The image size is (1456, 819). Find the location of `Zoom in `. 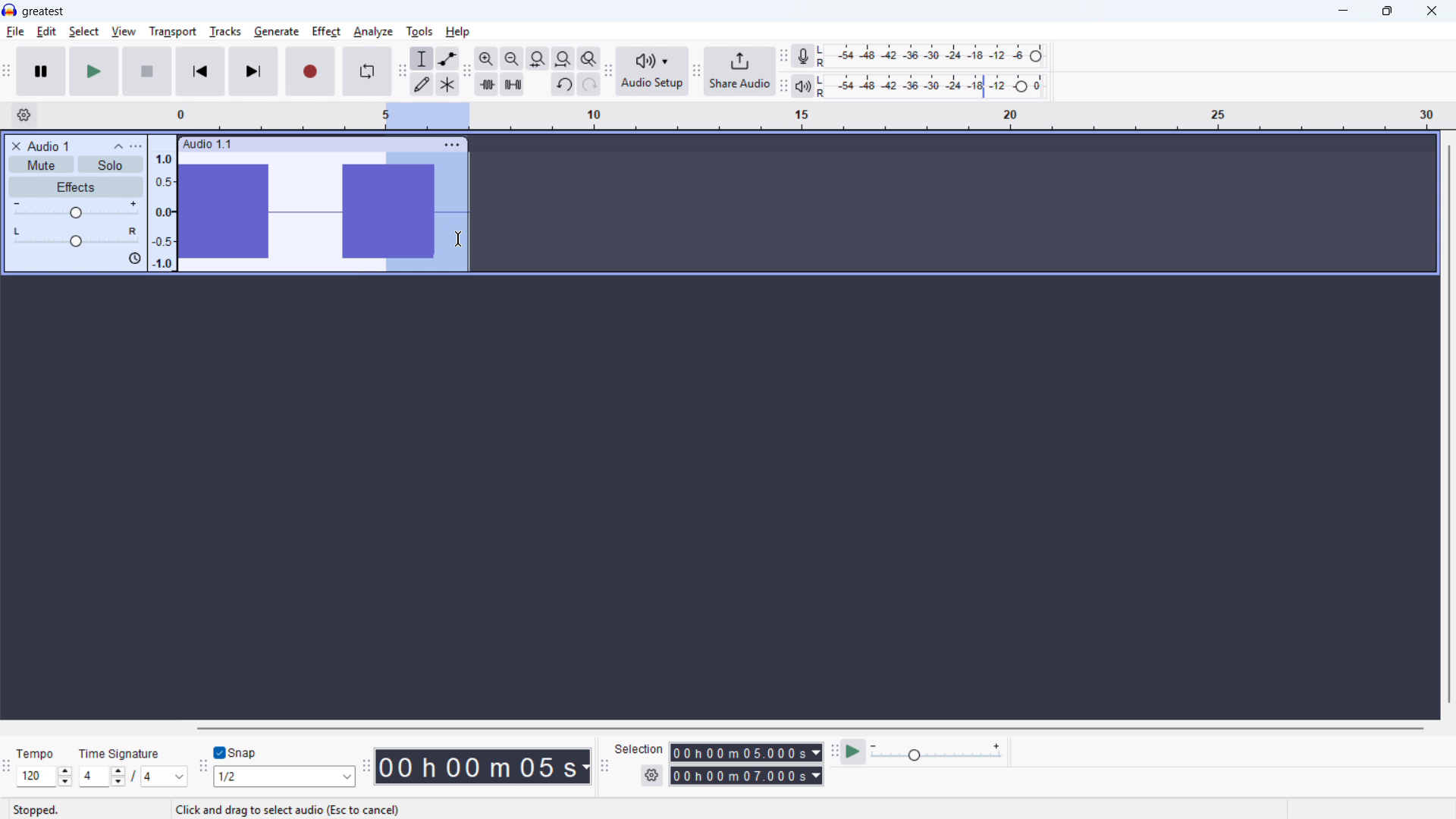

Zoom in  is located at coordinates (487, 58).